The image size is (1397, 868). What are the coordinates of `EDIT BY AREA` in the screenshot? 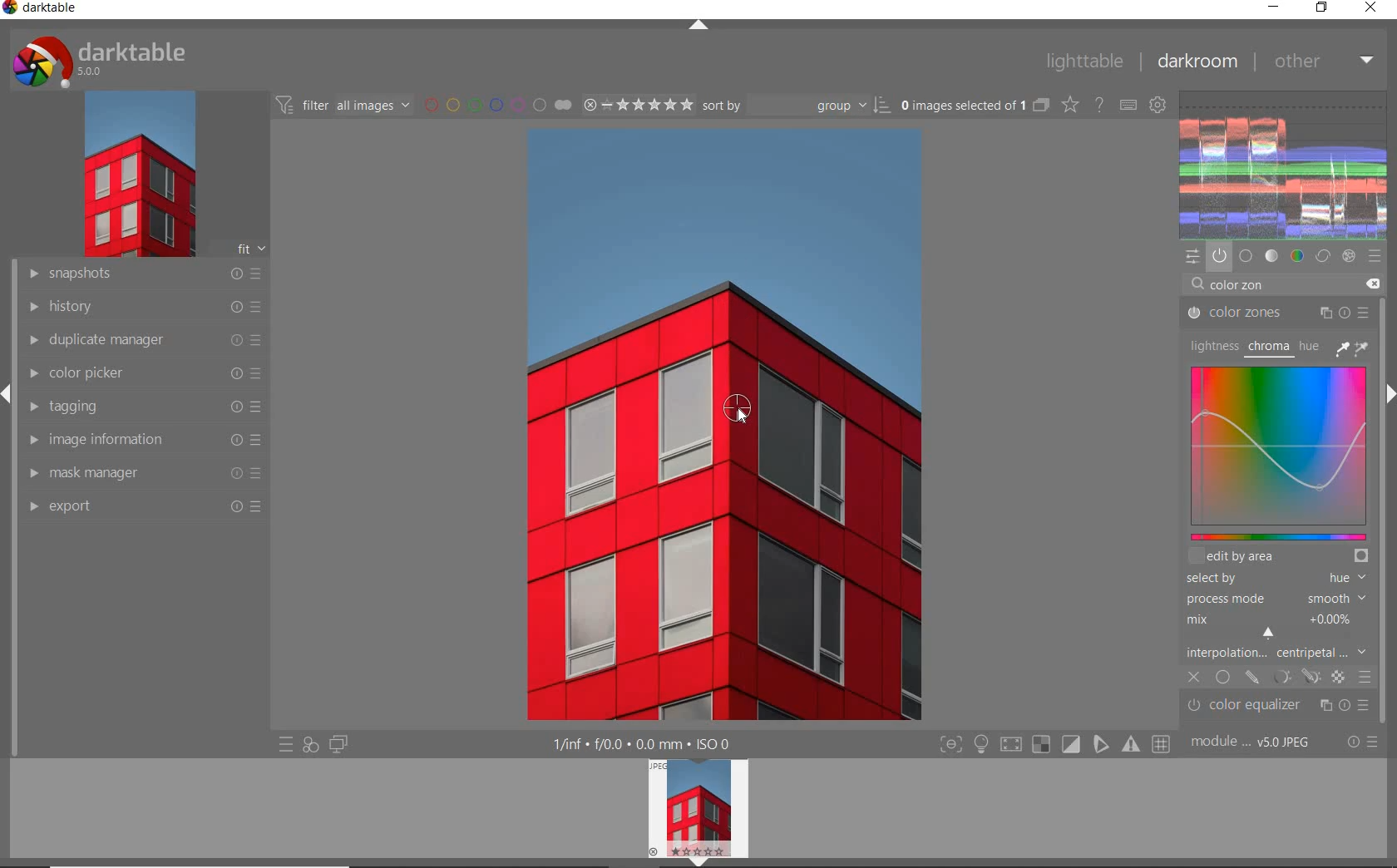 It's located at (1278, 557).